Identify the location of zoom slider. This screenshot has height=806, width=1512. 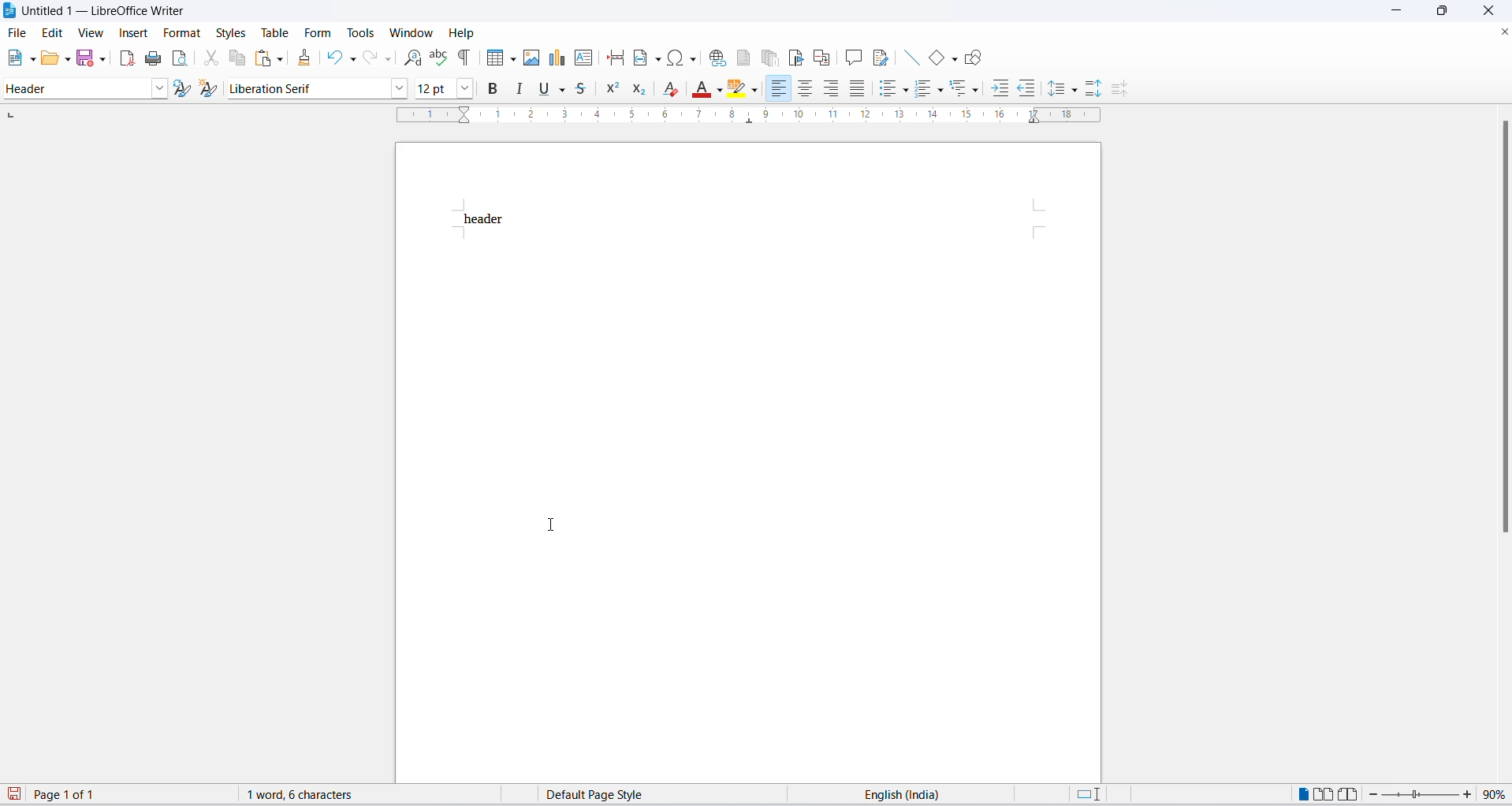
(1417, 797).